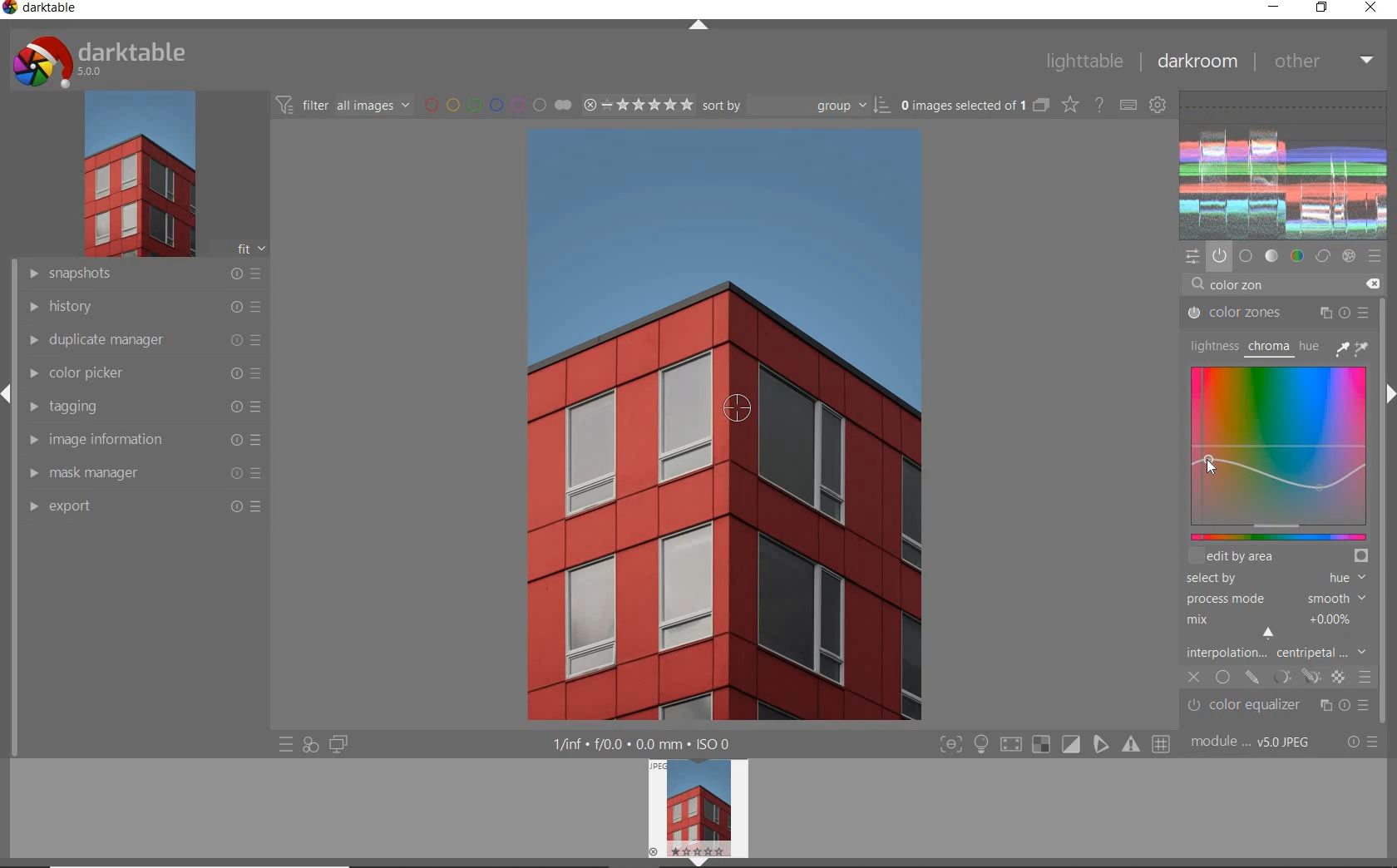 The height and width of the screenshot is (868, 1397). Describe the element at coordinates (639, 104) in the screenshot. I see `selected Image range rating` at that location.